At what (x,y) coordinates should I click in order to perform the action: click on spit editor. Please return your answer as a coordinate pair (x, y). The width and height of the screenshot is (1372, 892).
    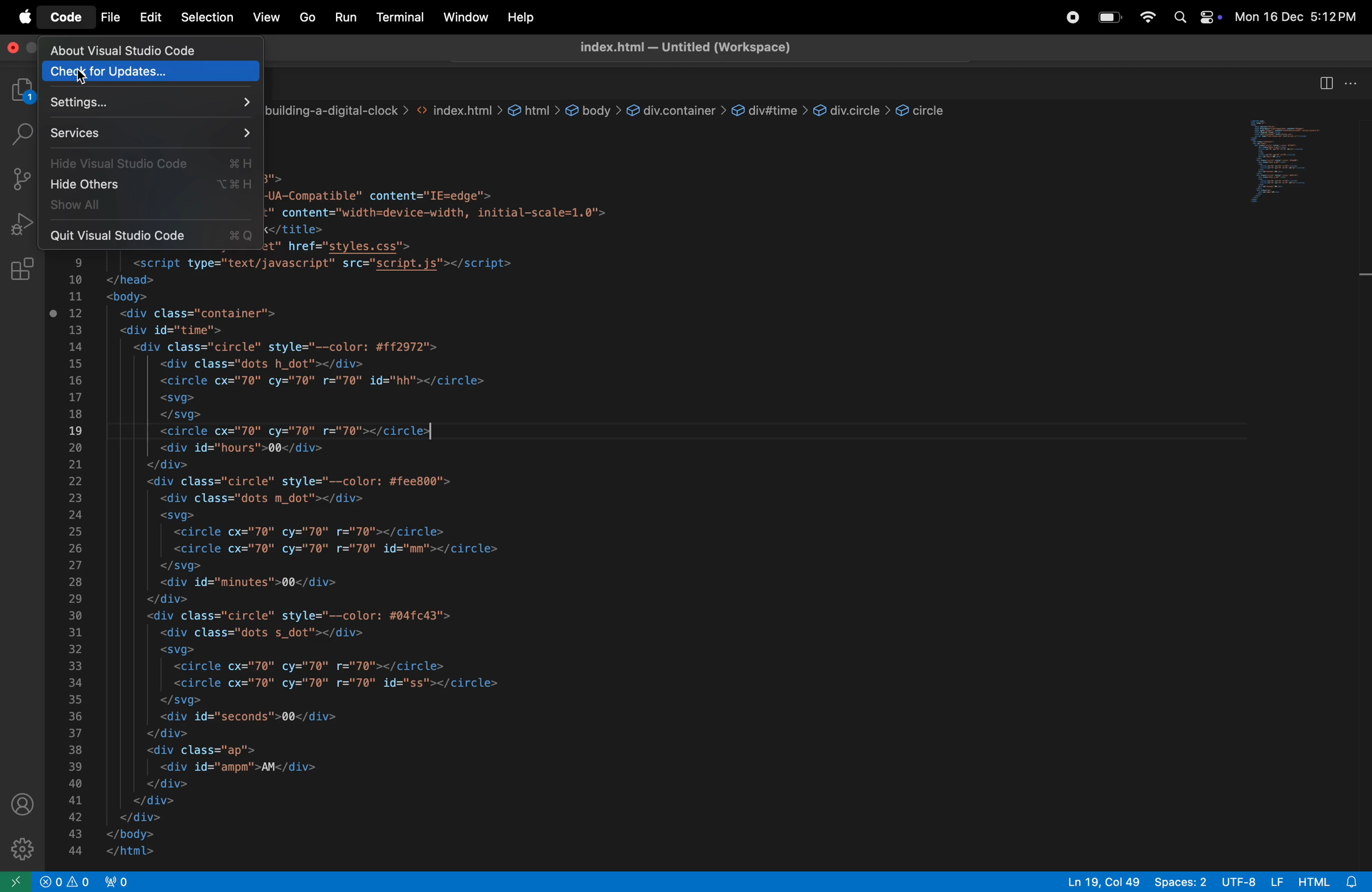
    Looking at the image, I should click on (1324, 84).